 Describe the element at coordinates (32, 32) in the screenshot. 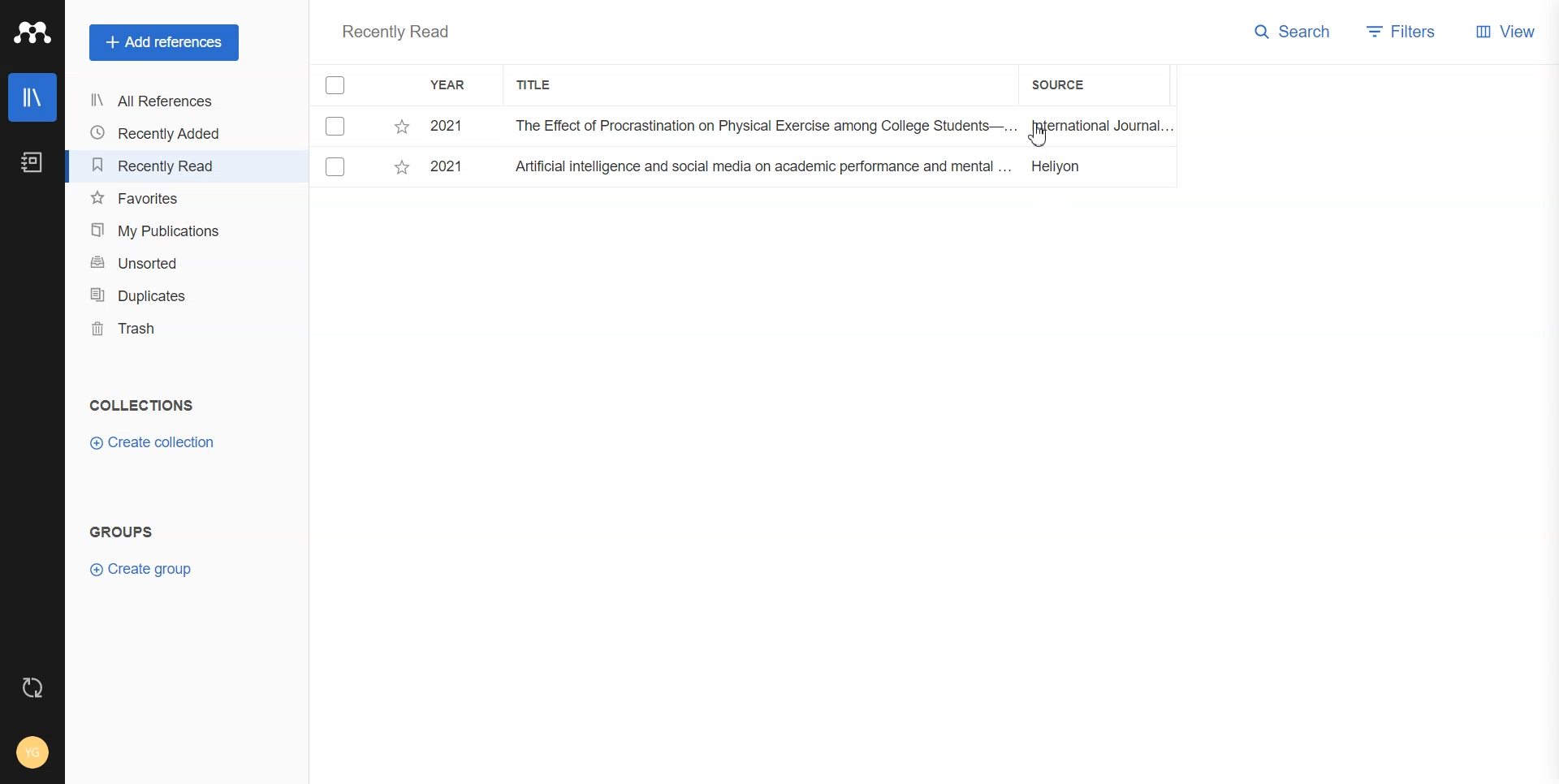

I see `Logo` at that location.